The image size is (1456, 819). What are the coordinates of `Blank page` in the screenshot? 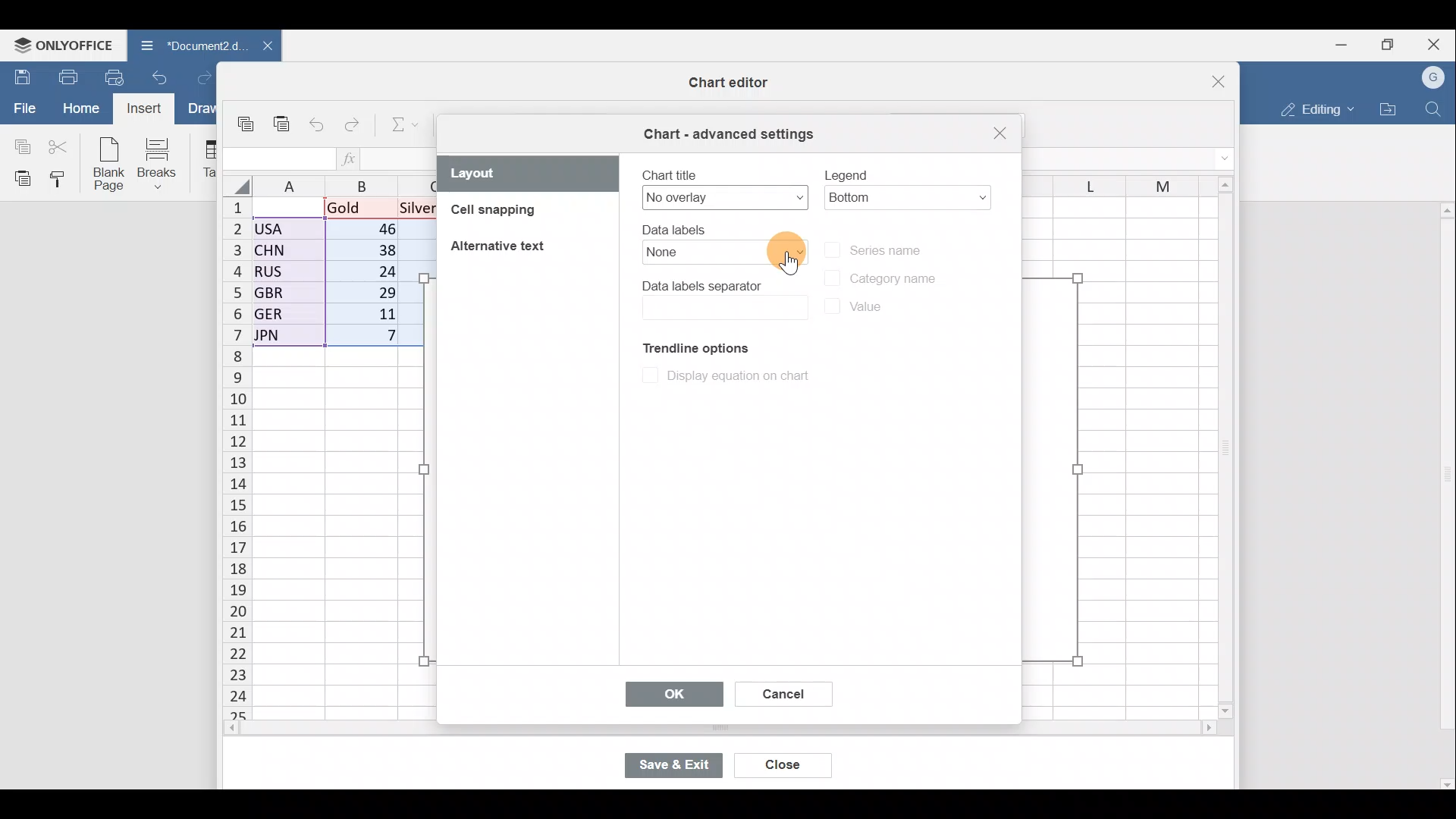 It's located at (105, 162).